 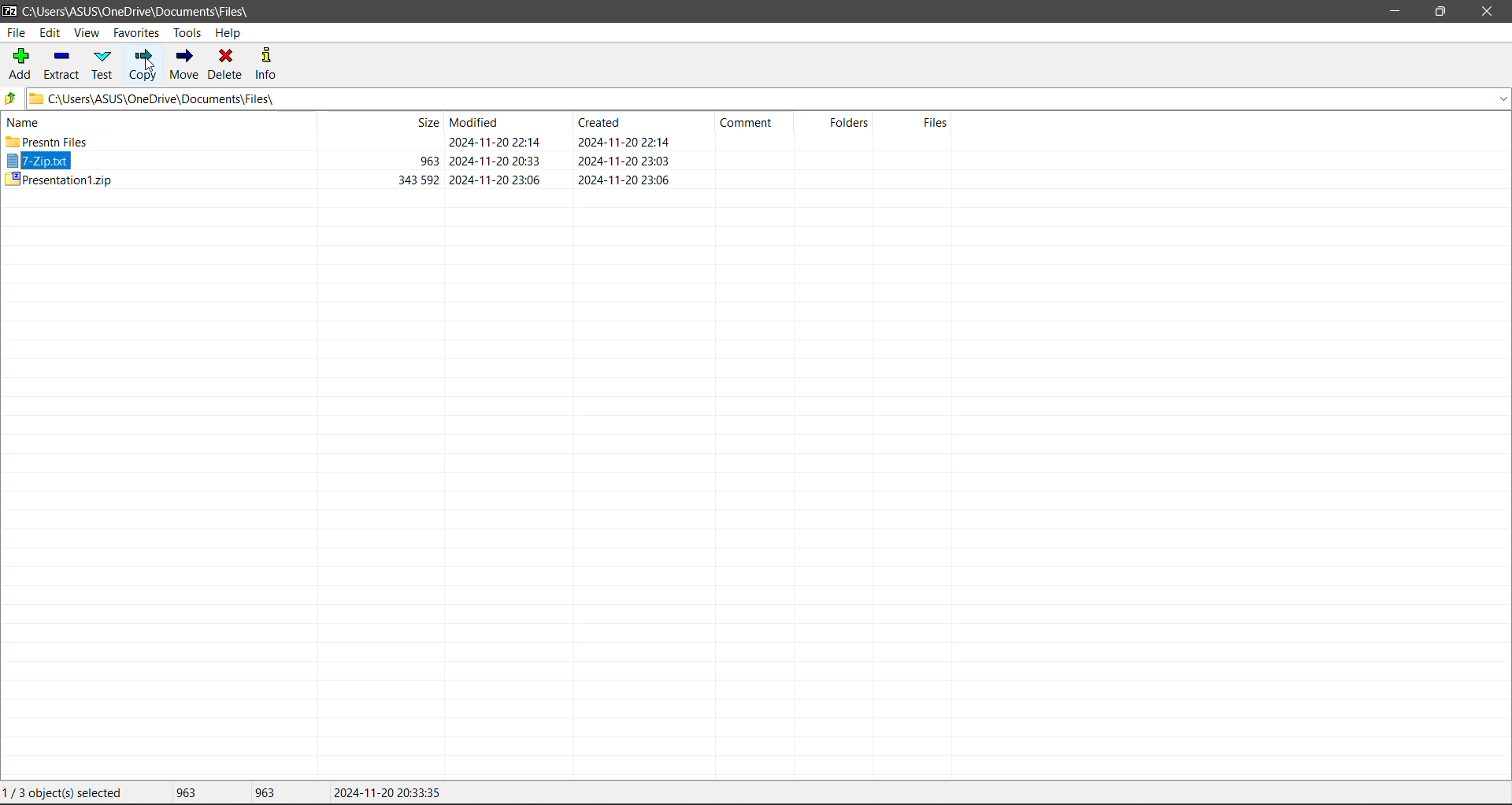 I want to click on Tools, so click(x=186, y=33).